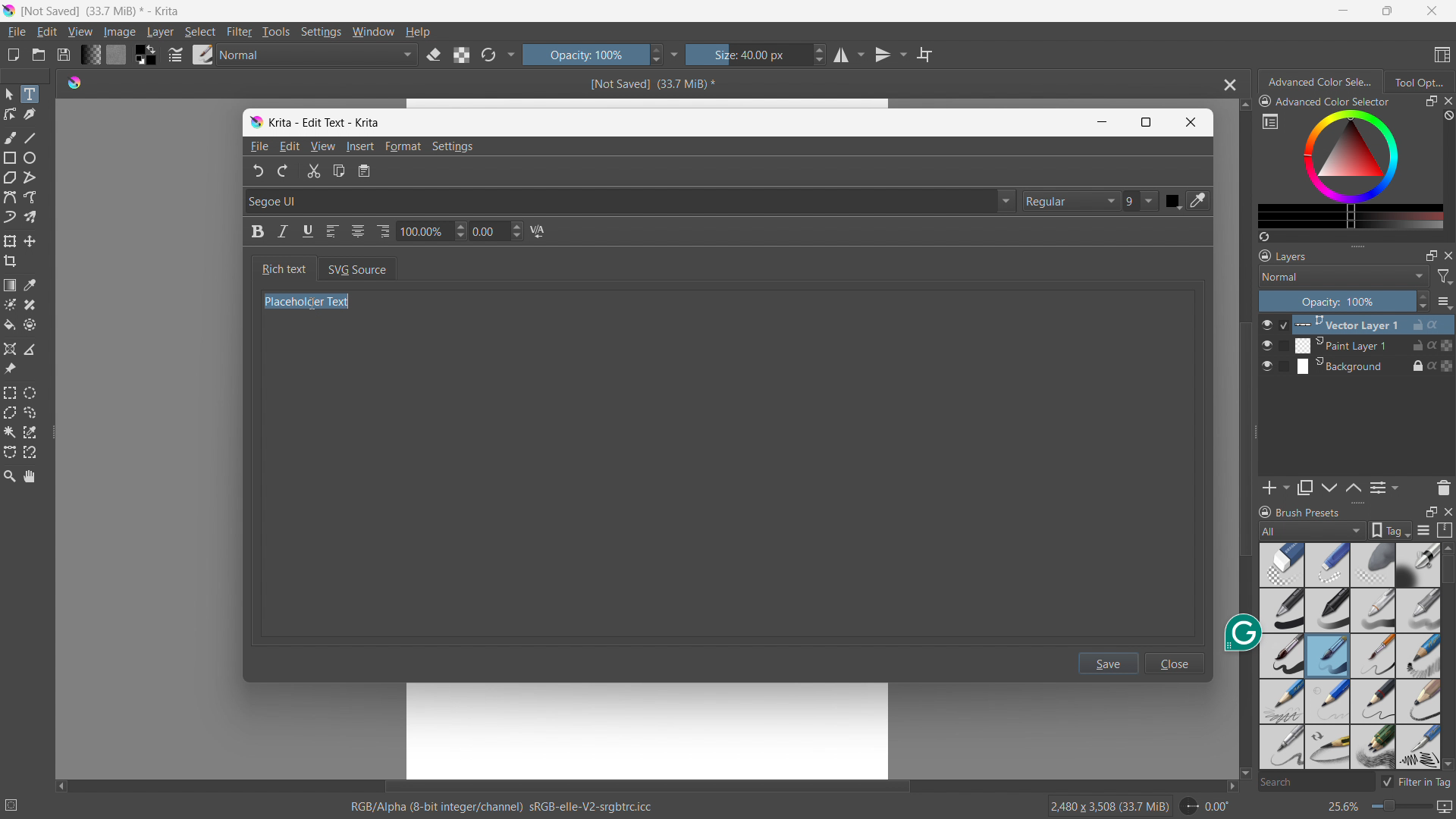  Describe the element at coordinates (1443, 487) in the screenshot. I see `delete layer` at that location.